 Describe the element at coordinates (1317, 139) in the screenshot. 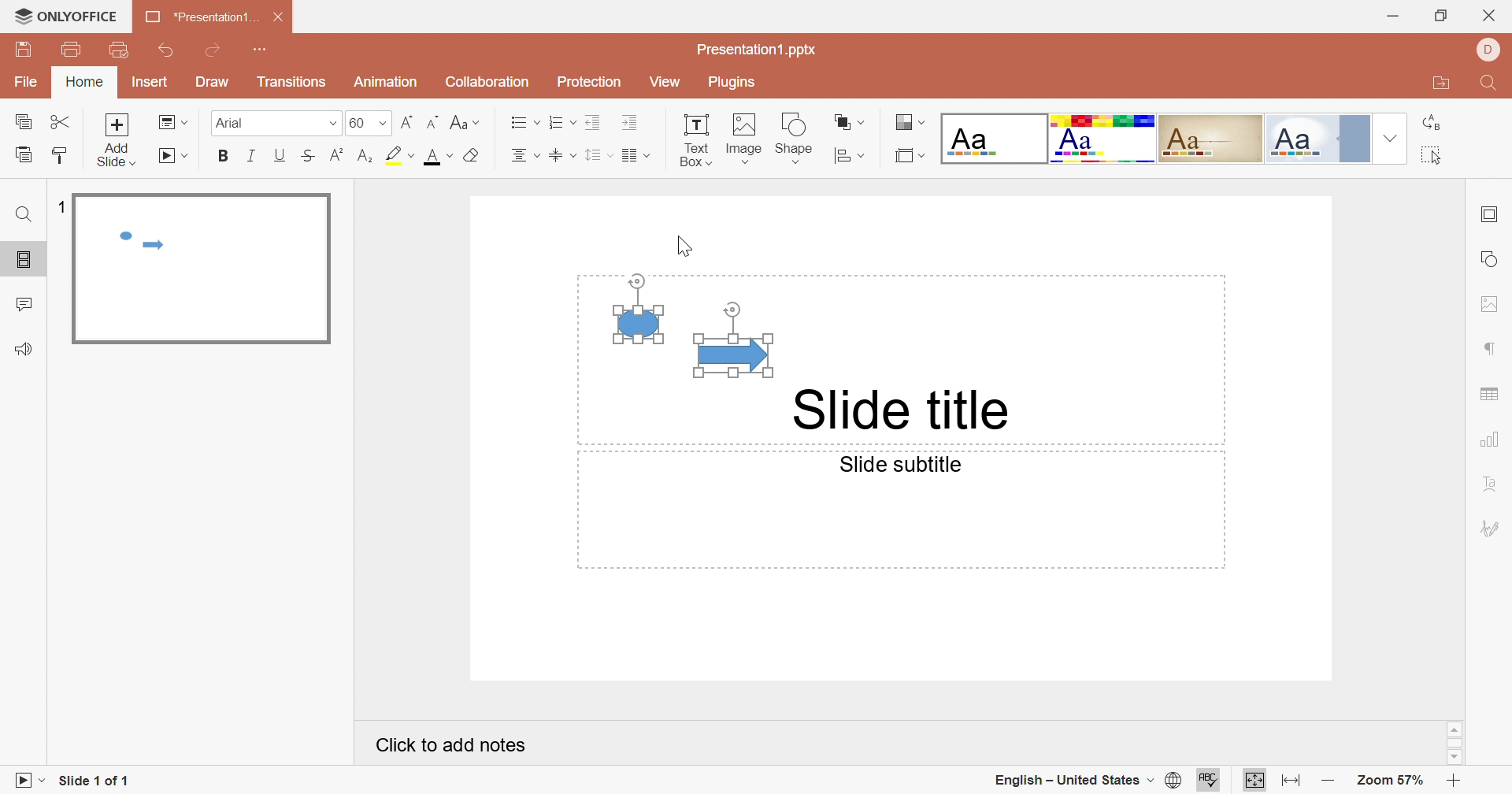

I see `Official` at that location.